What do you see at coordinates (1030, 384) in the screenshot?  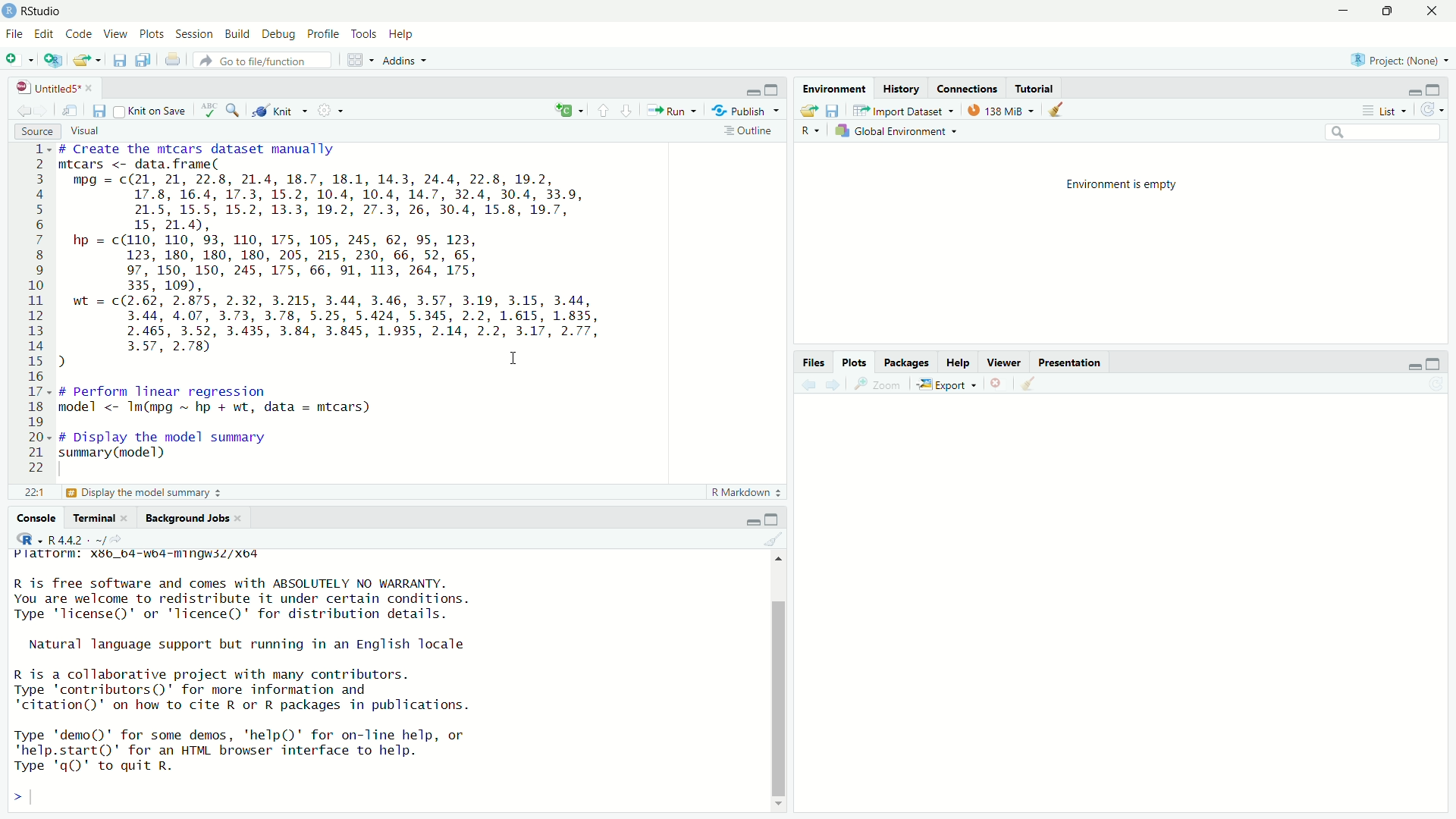 I see `clear all plots` at bounding box center [1030, 384].